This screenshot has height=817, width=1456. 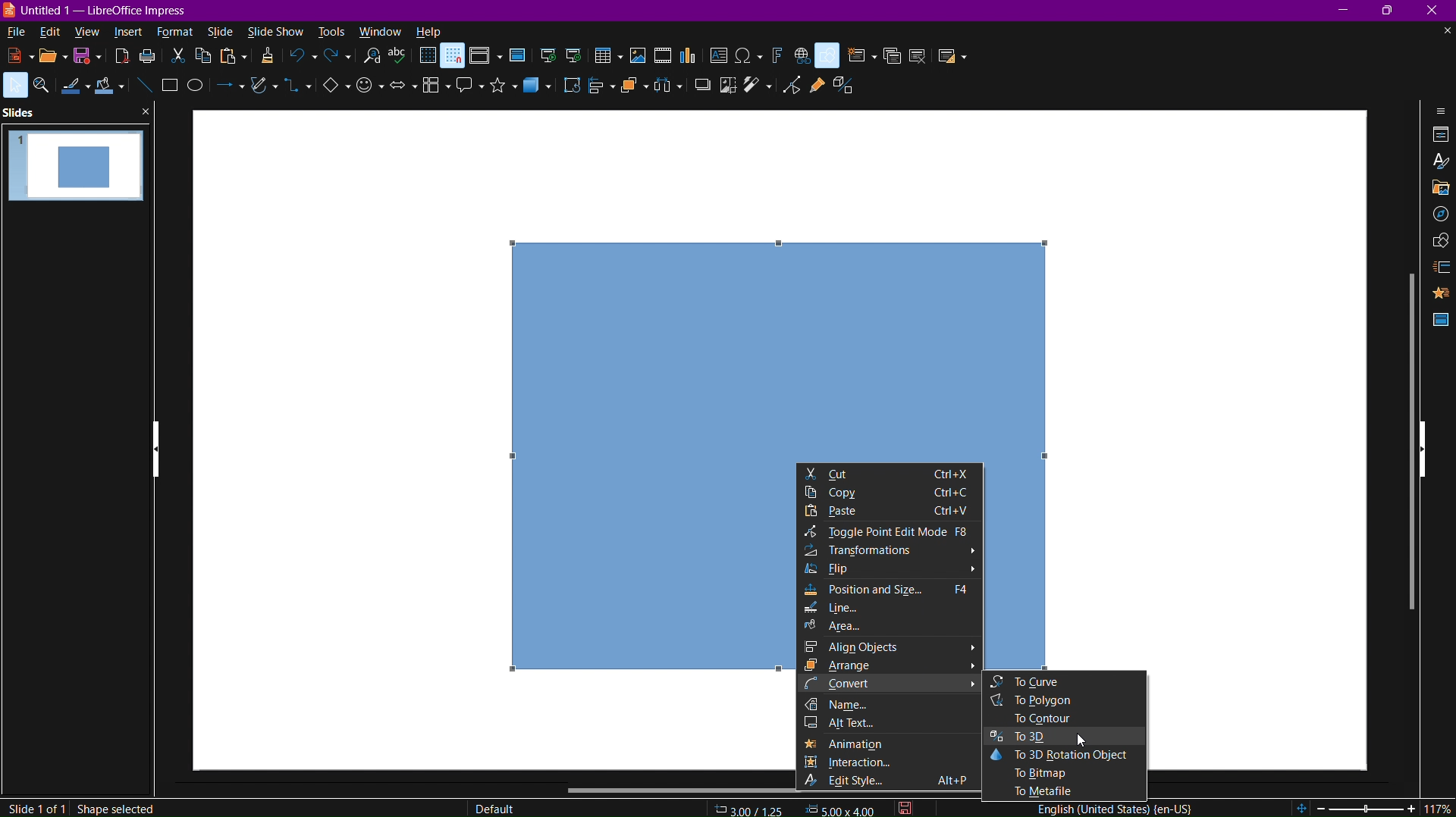 I want to click on zoom factor, so click(x=1438, y=807).